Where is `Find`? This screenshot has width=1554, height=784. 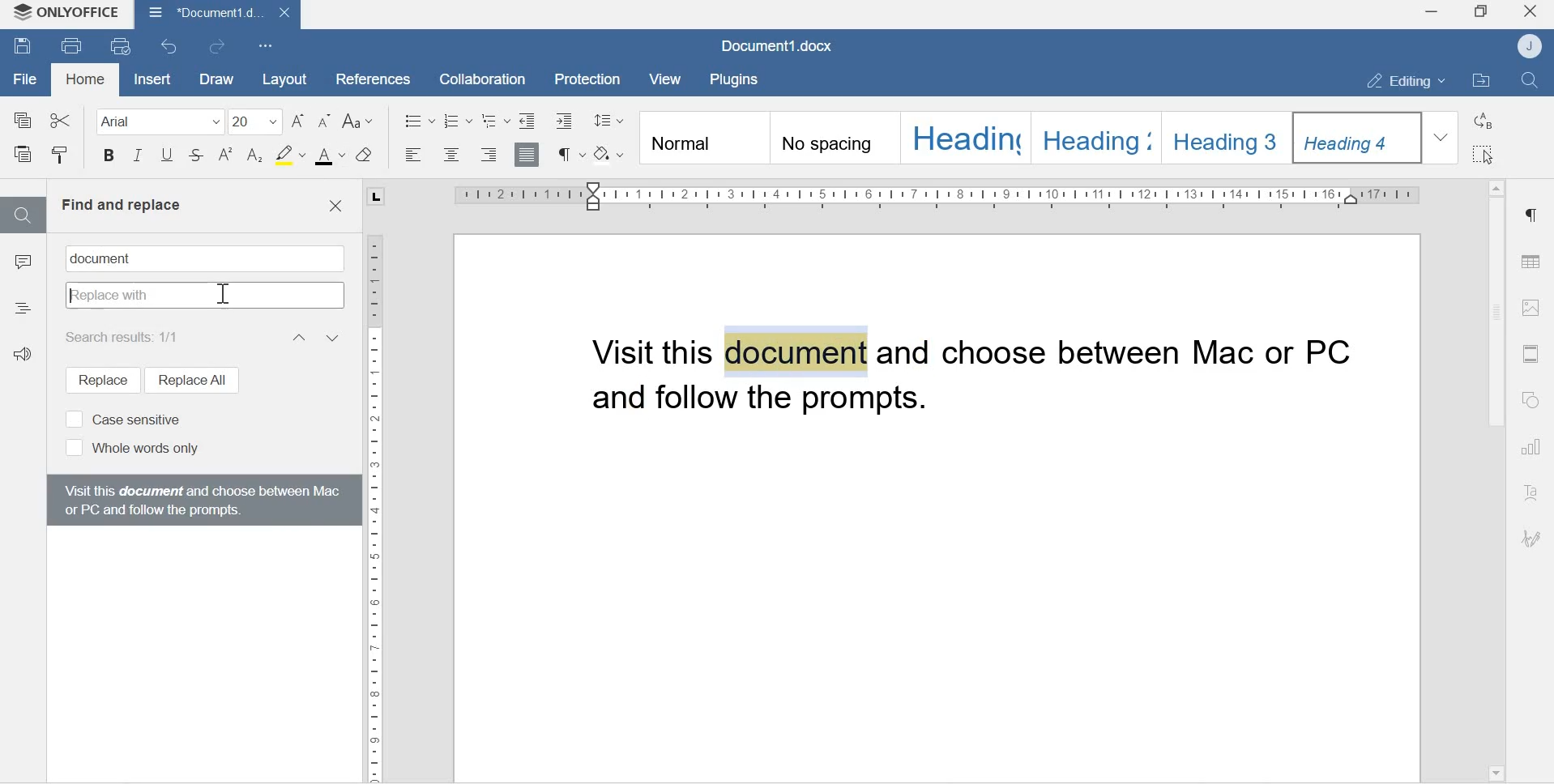 Find is located at coordinates (22, 215).